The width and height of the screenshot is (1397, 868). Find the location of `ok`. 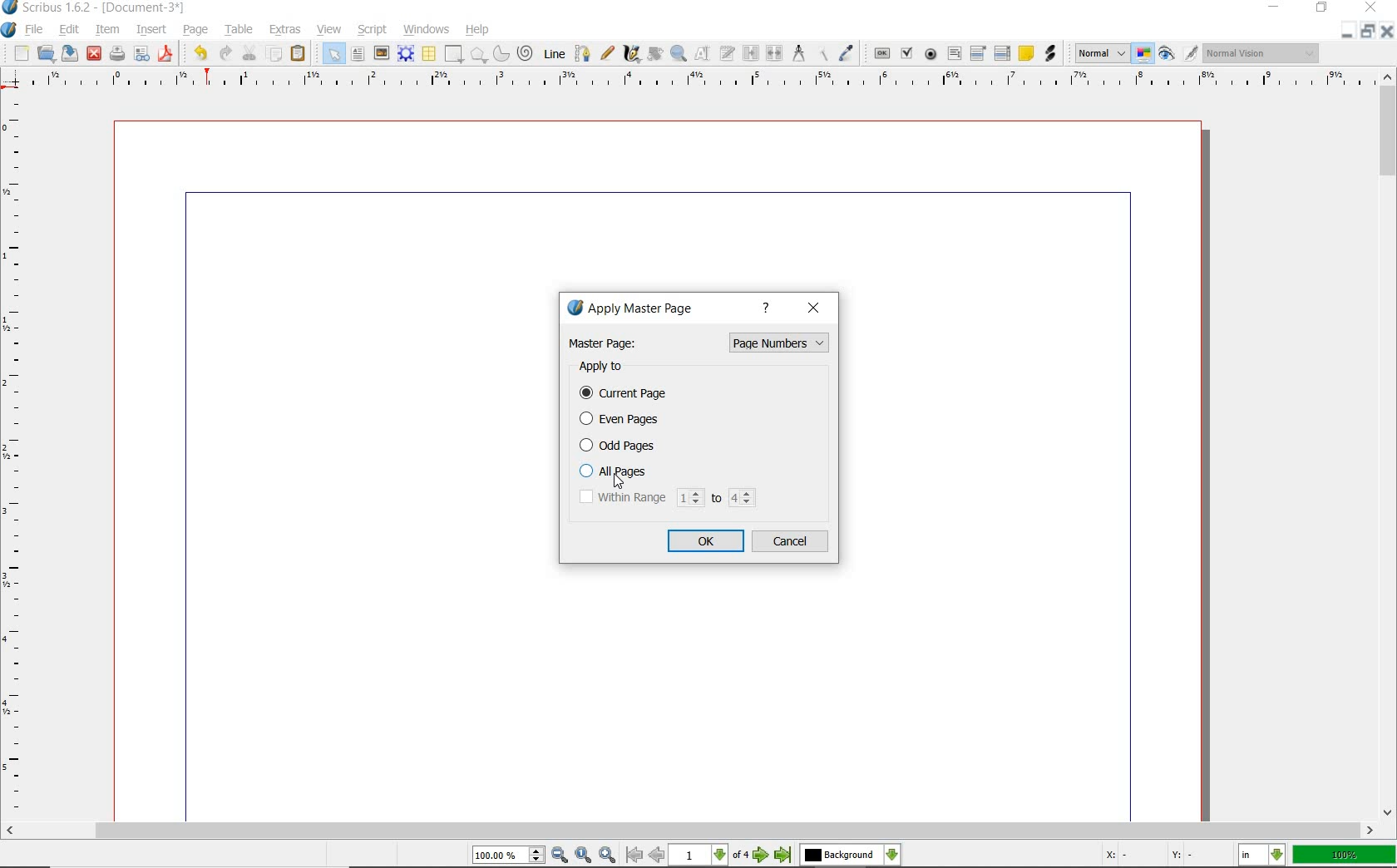

ok is located at coordinates (706, 540).